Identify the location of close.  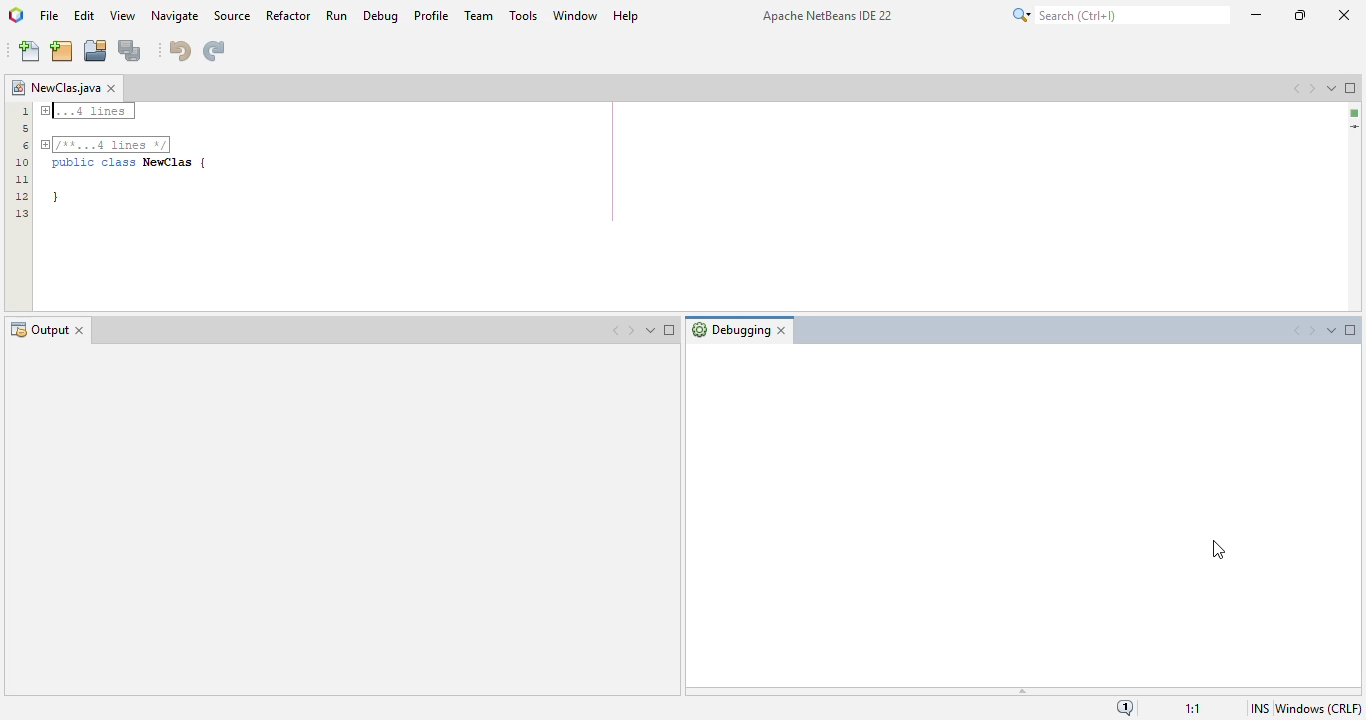
(1343, 15).